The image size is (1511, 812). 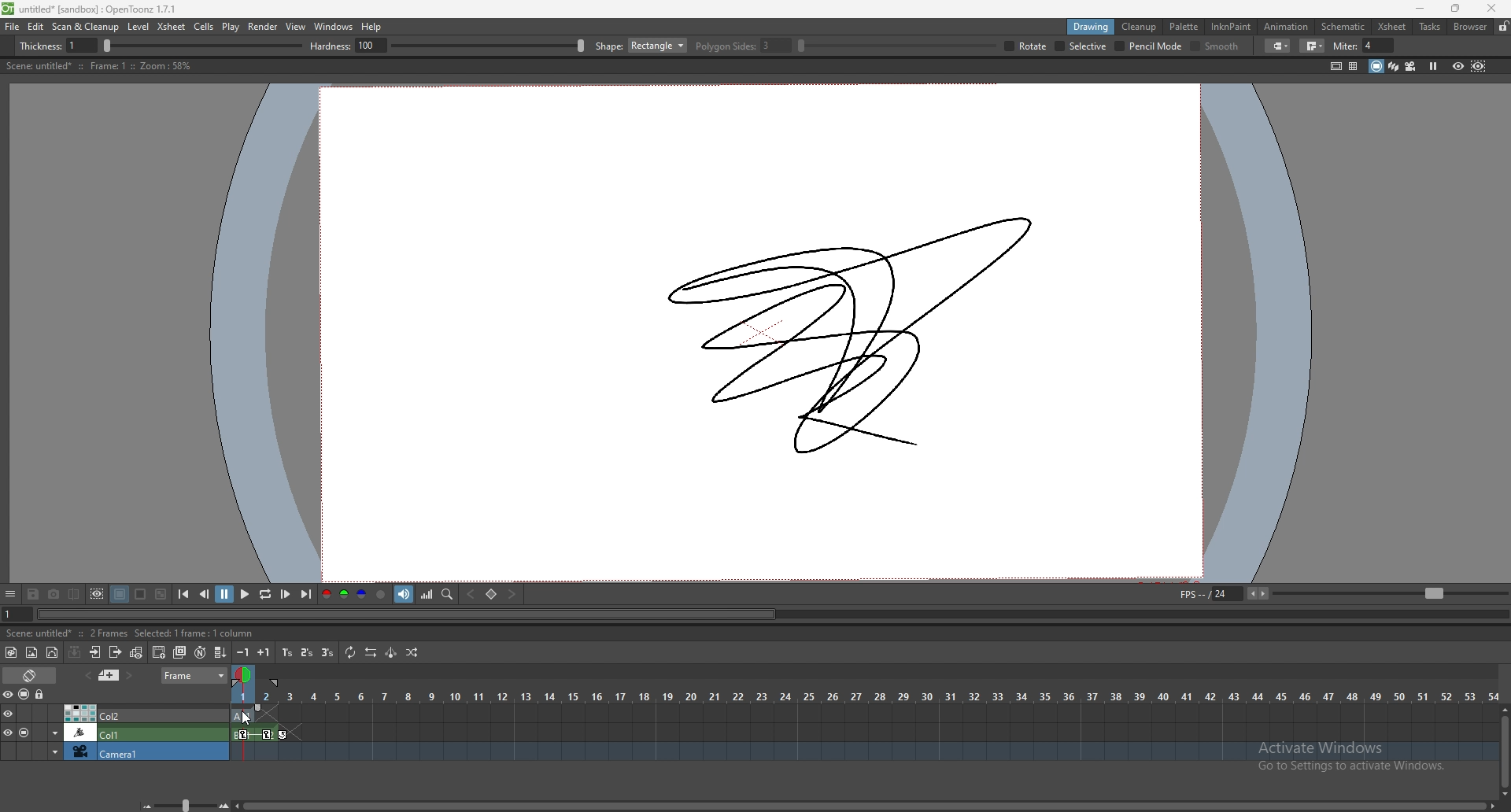 I want to click on preview, so click(x=1458, y=65).